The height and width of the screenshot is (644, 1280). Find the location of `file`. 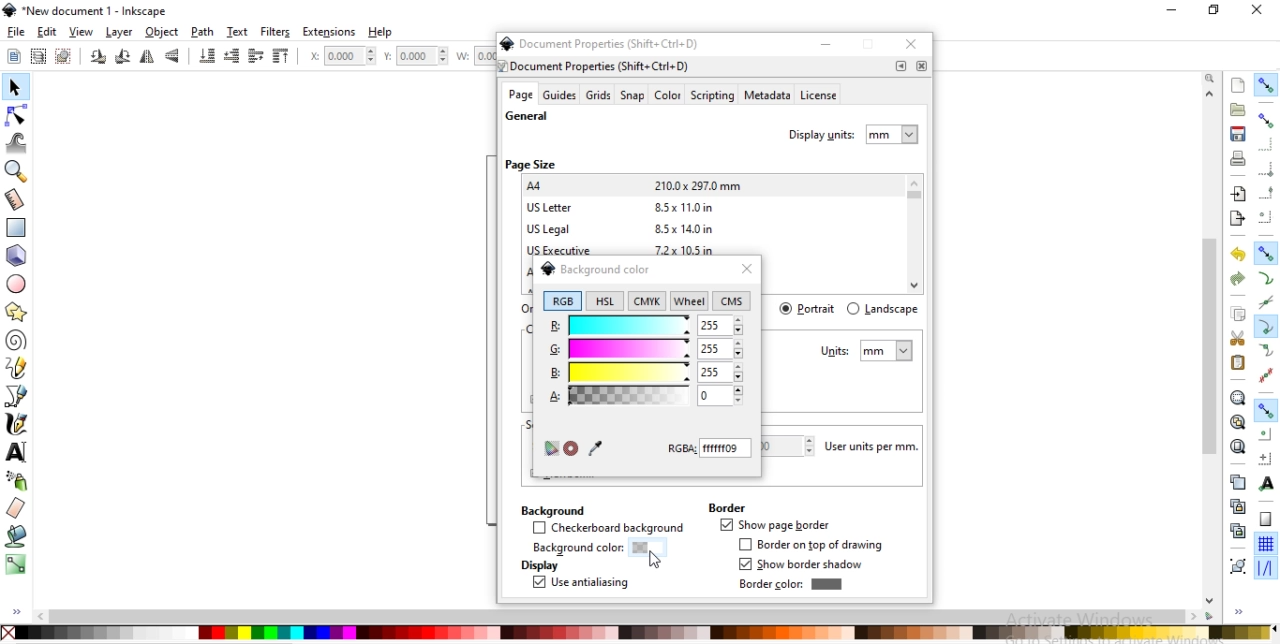

file is located at coordinates (16, 32).